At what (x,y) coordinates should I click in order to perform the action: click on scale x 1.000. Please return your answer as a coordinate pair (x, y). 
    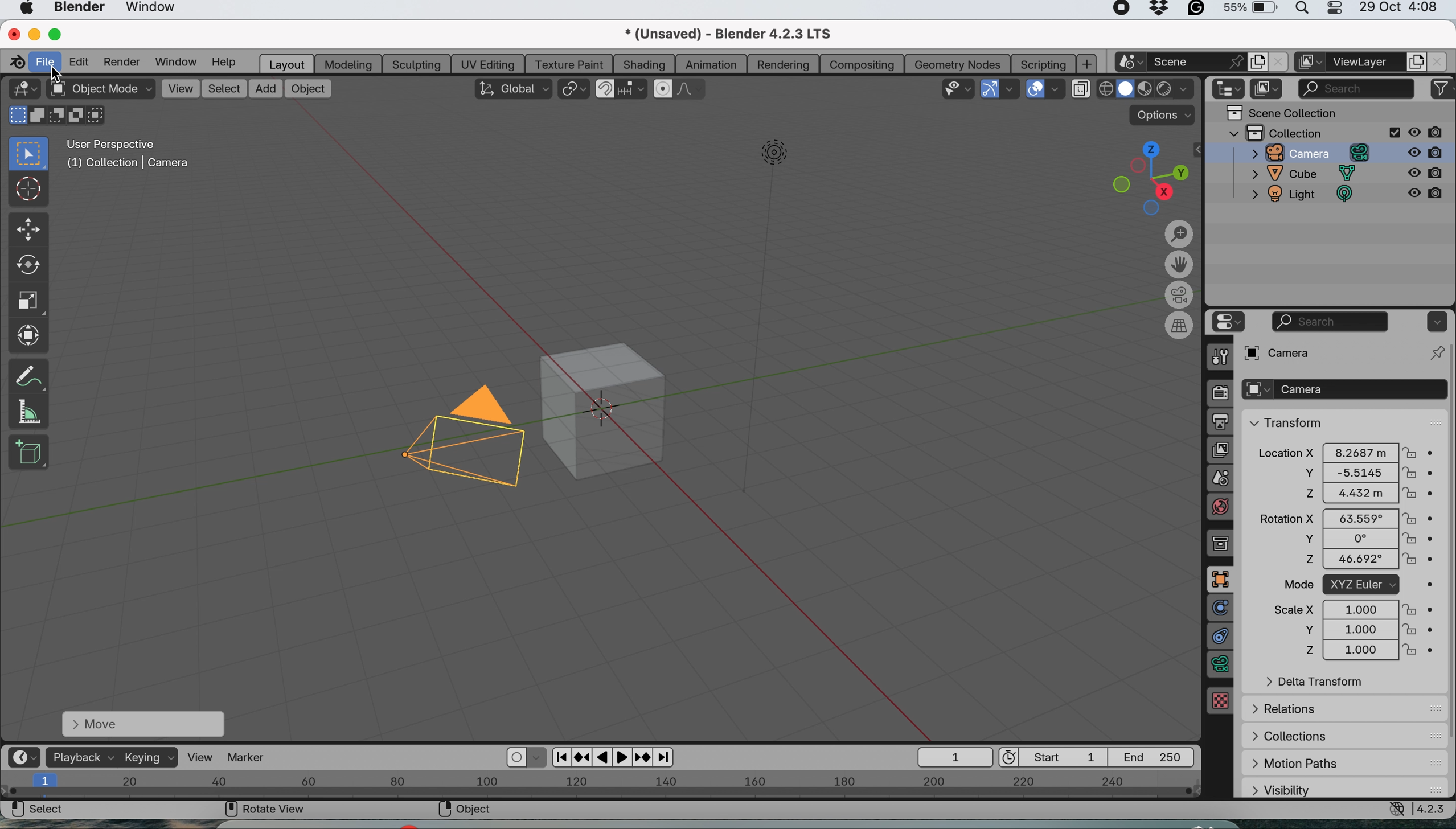
    Looking at the image, I should click on (1352, 609).